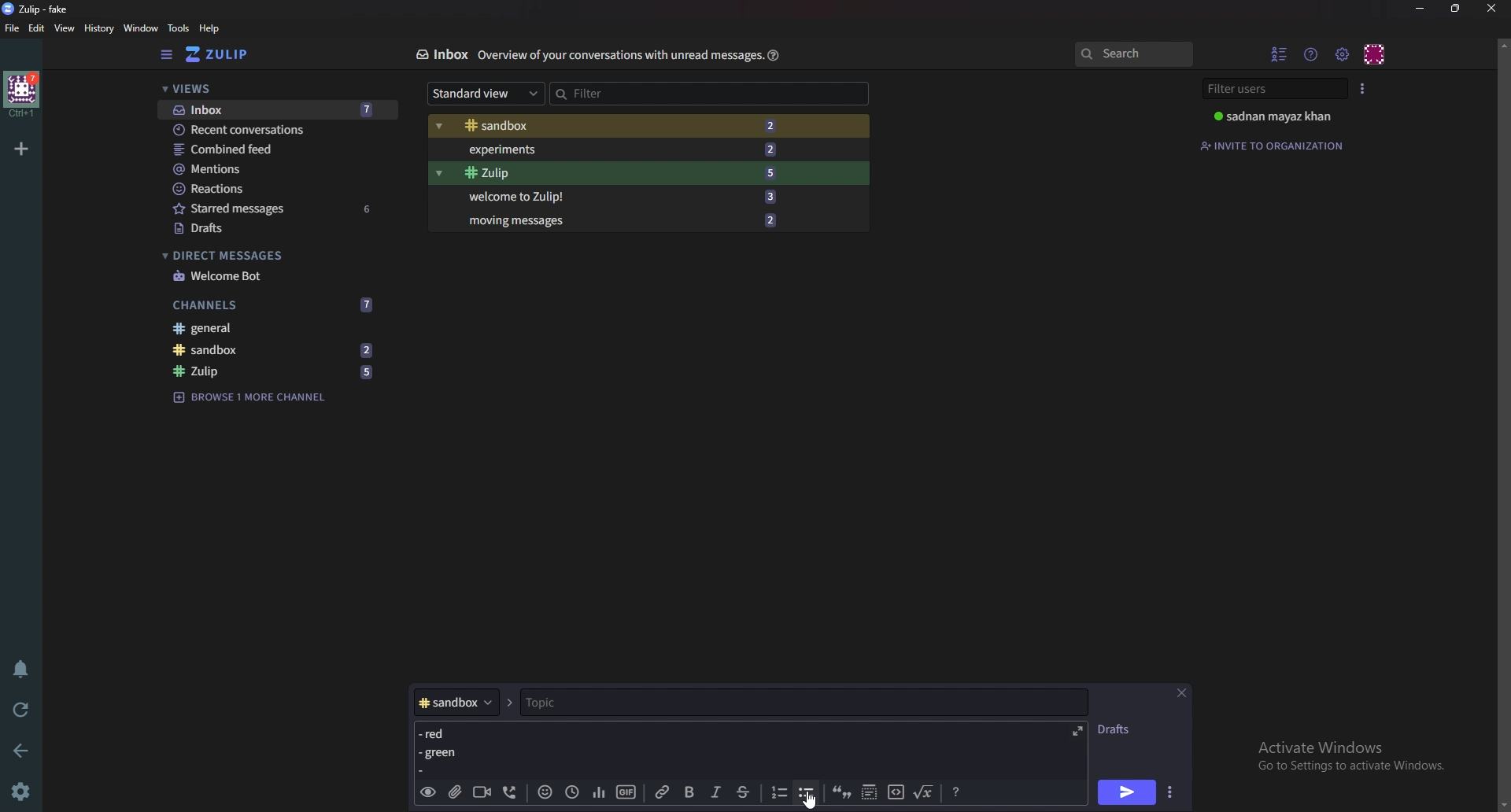  Describe the element at coordinates (1281, 116) in the screenshot. I see `User` at that location.